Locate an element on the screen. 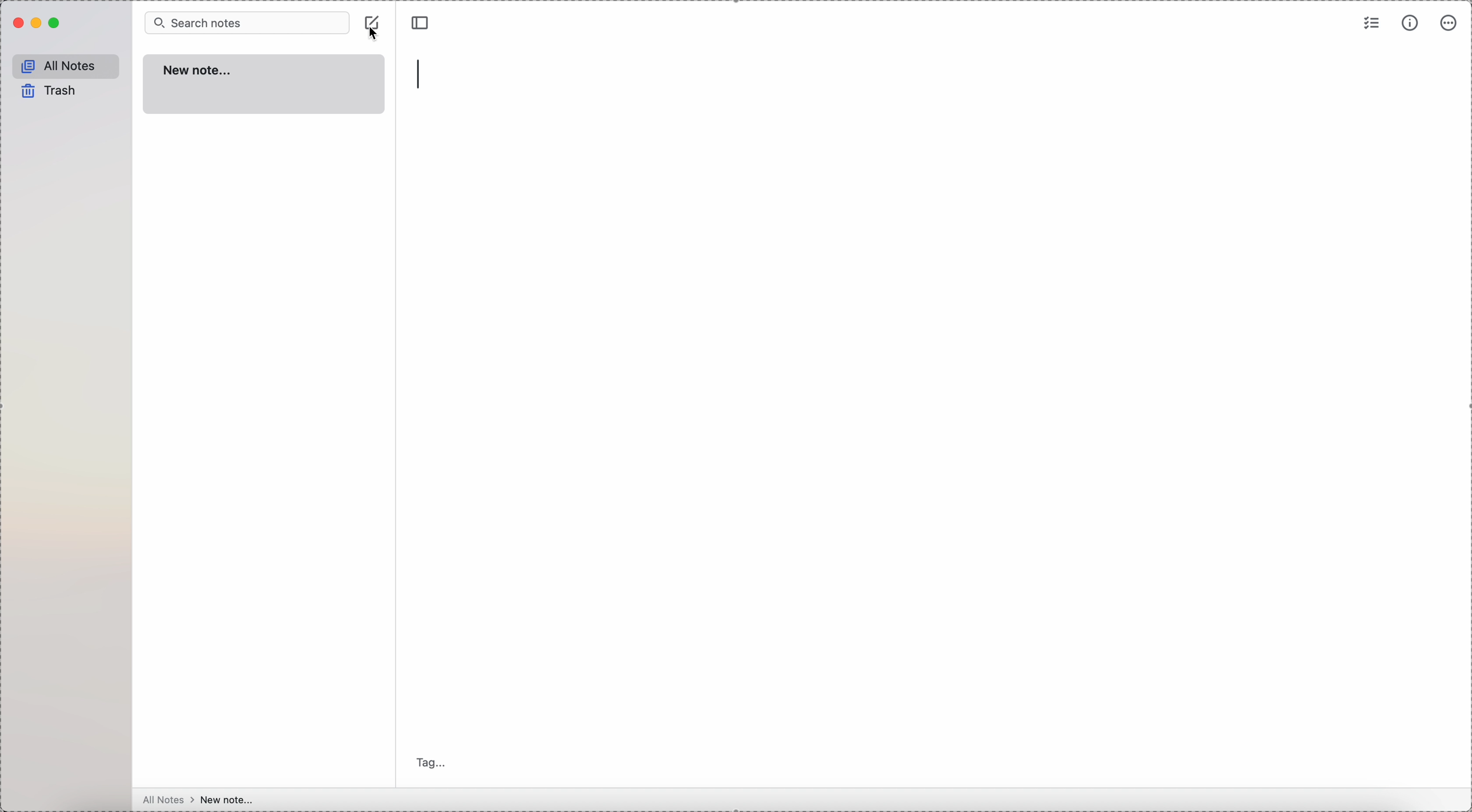  create note is located at coordinates (373, 21).